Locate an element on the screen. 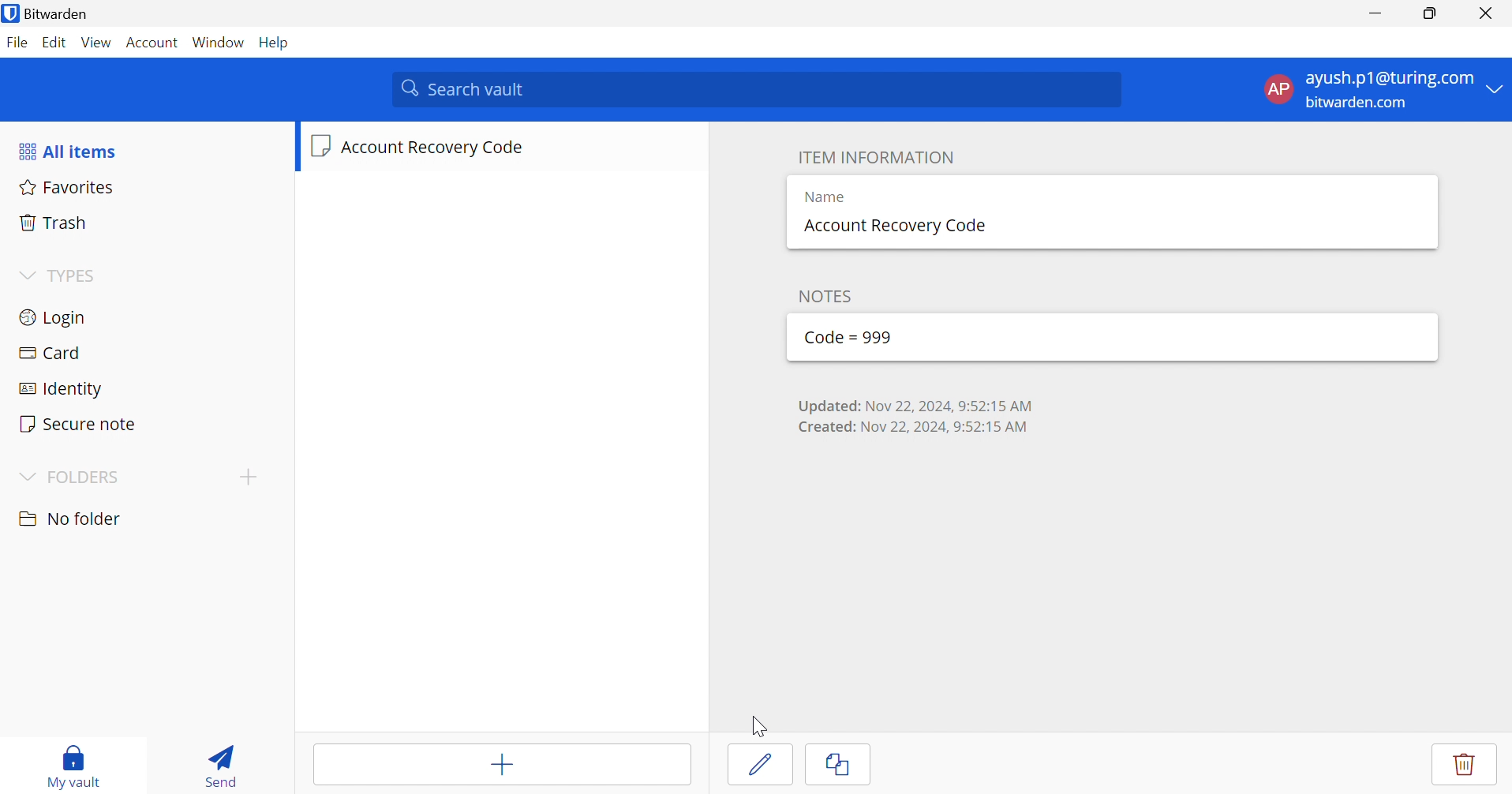  Created: Nov 22, 2024, 9:52:15 AM is located at coordinates (916, 426).